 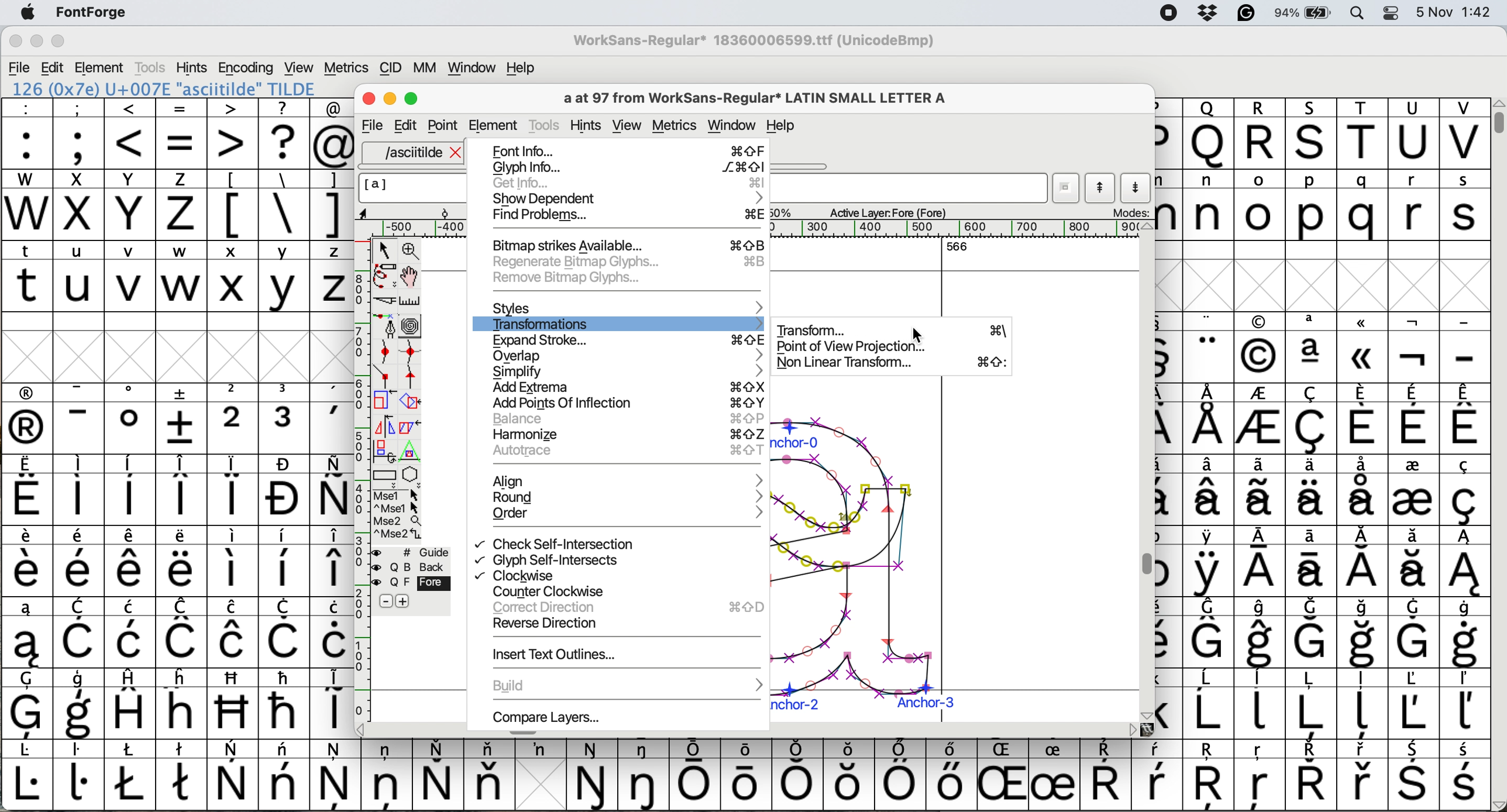 I want to click on ], so click(x=331, y=203).